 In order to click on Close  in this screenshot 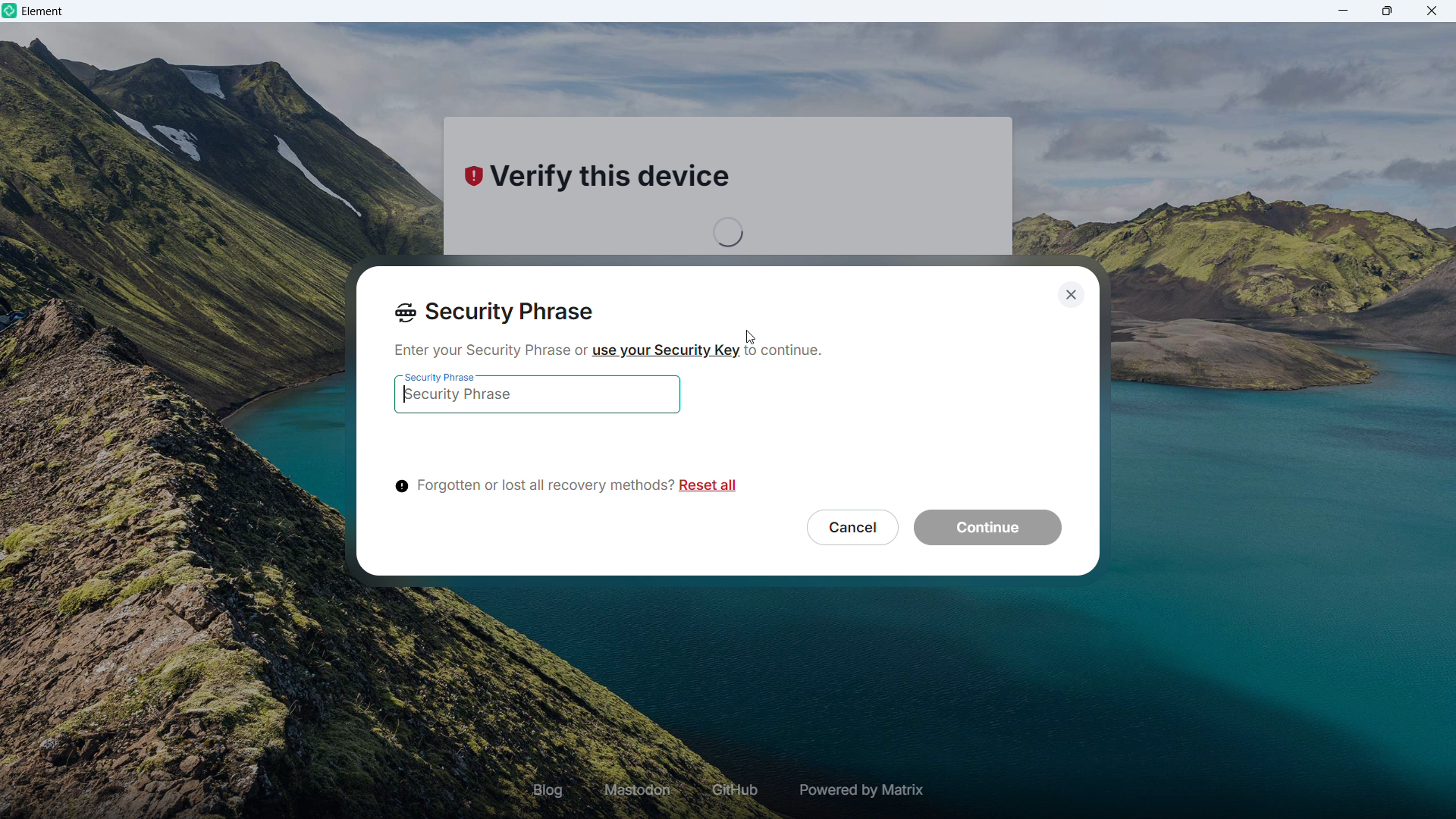, I will do `click(1069, 293)`.